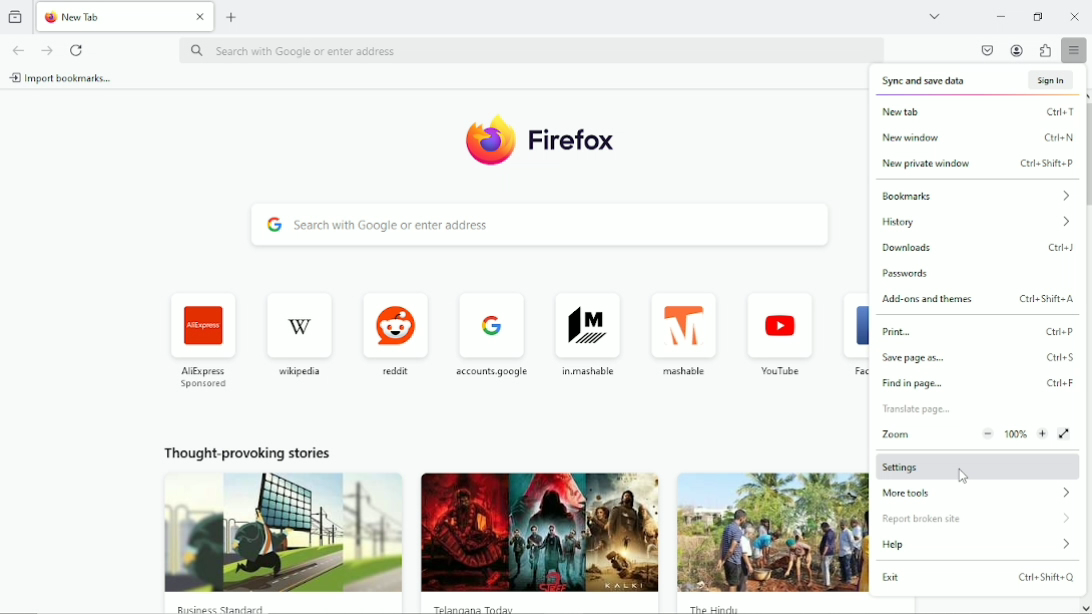 The width and height of the screenshot is (1092, 614). I want to click on reddit, so click(396, 330).